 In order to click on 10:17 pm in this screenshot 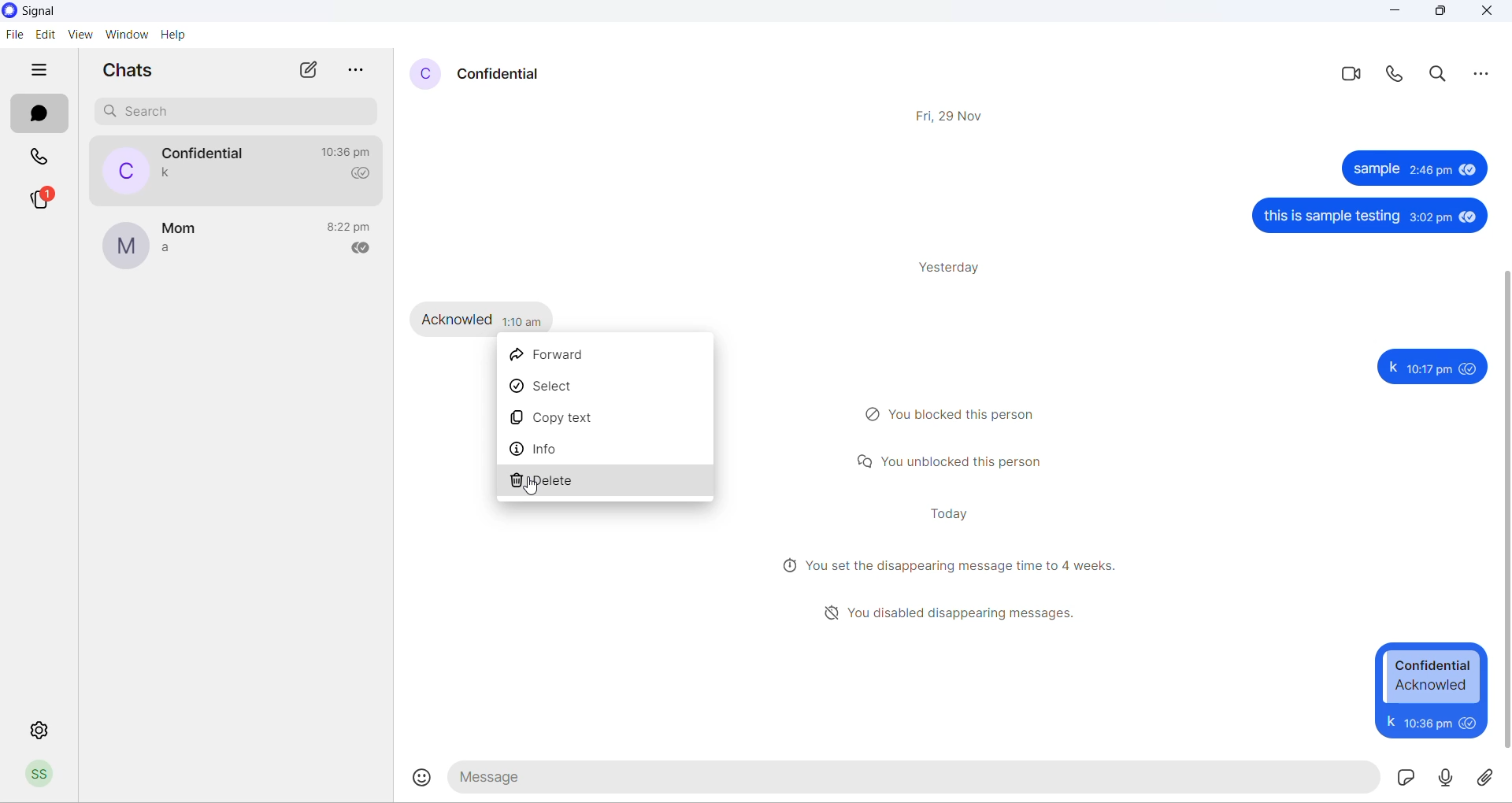, I will do `click(1429, 367)`.